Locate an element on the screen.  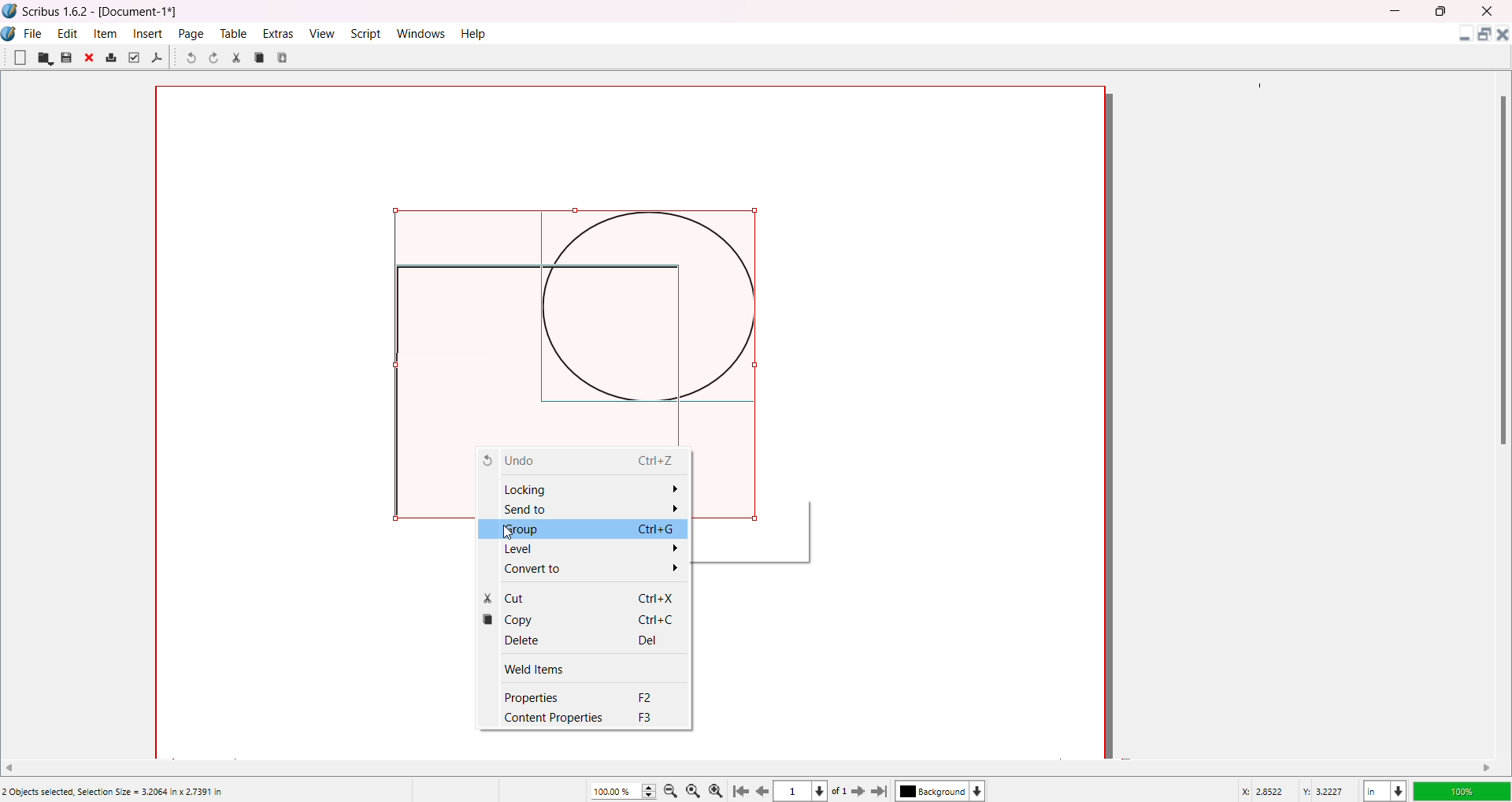
Minimize Document is located at coordinates (1461, 37).